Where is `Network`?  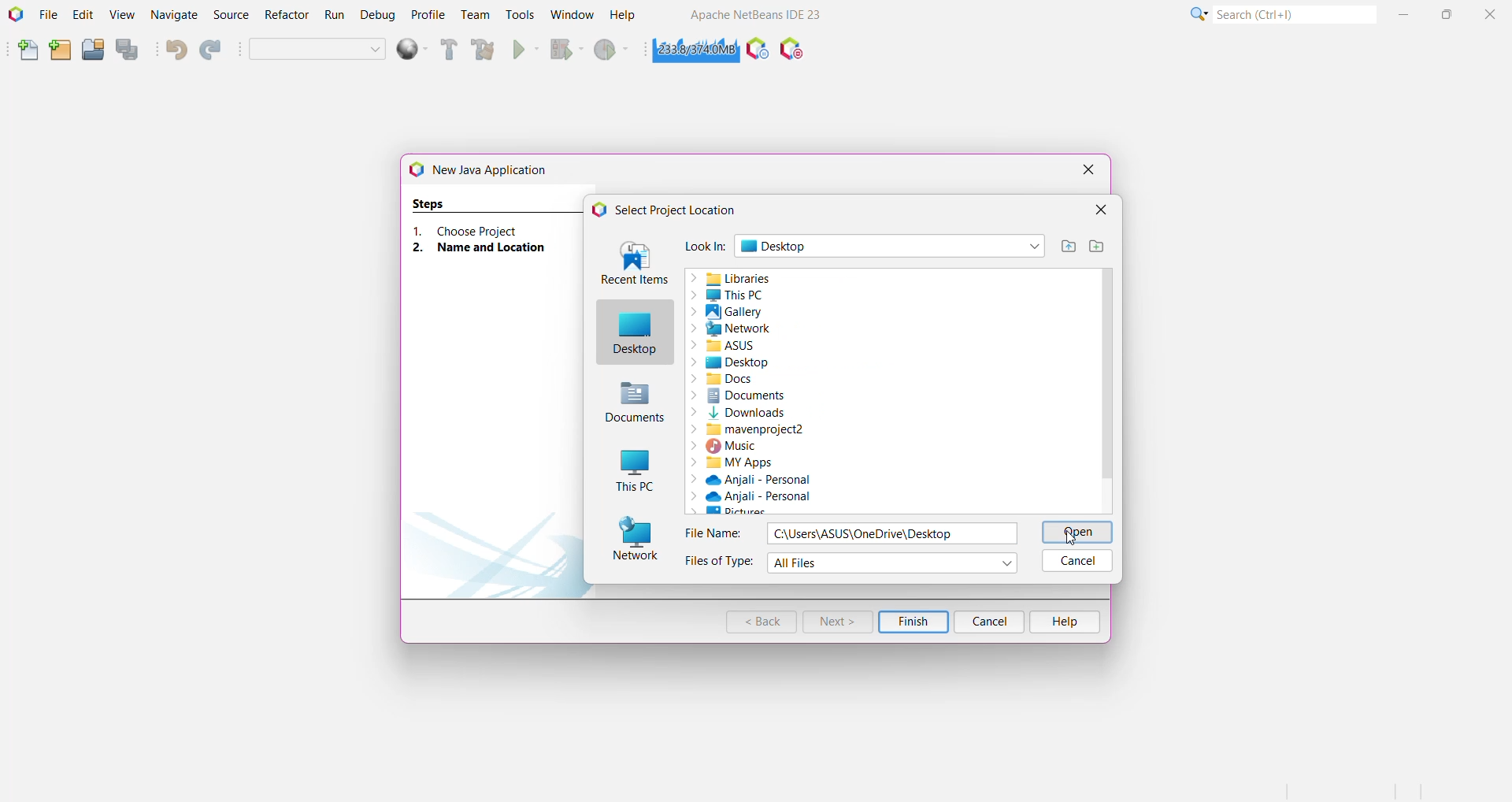 Network is located at coordinates (634, 540).